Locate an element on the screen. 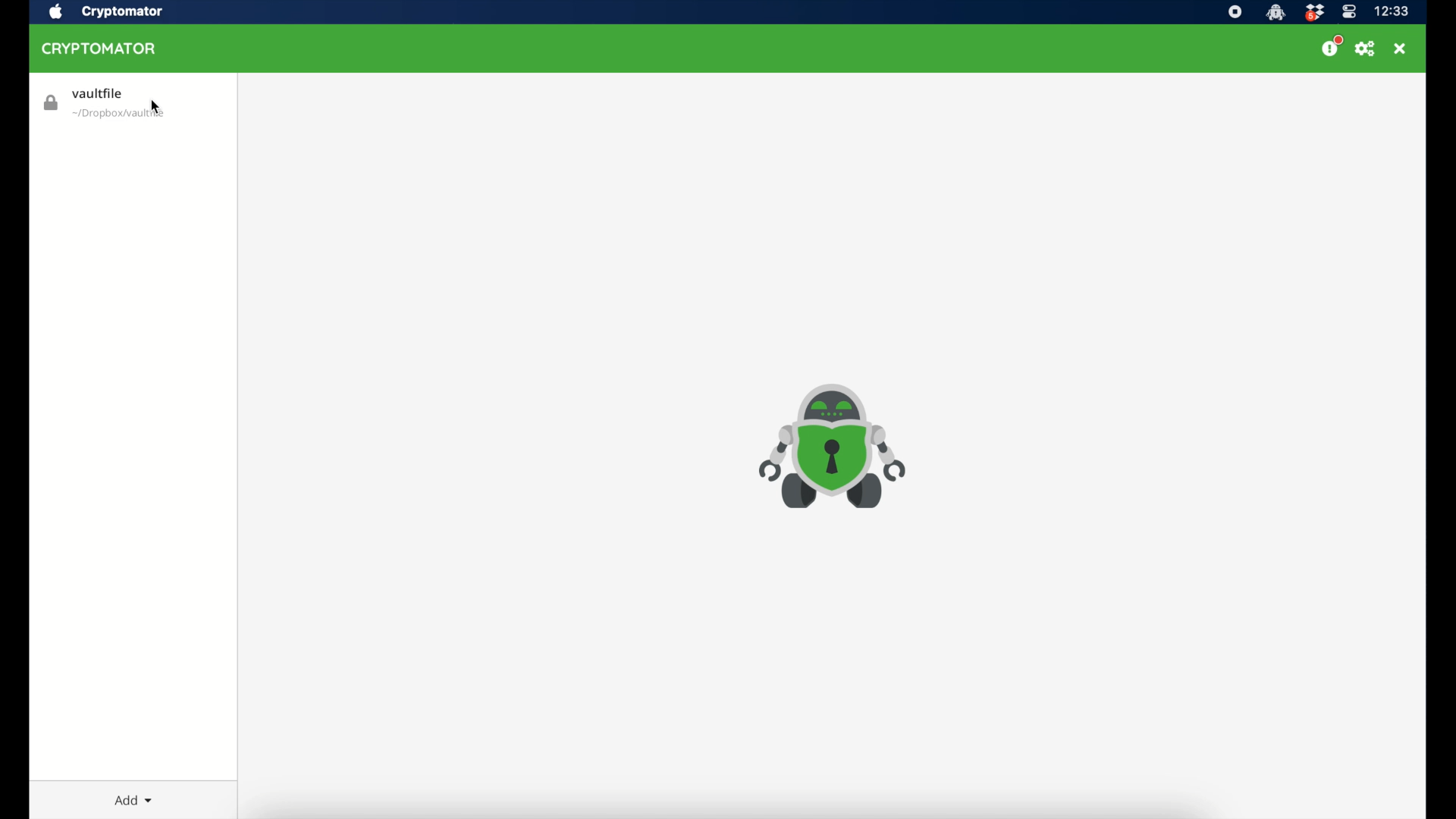 The width and height of the screenshot is (1456, 819). time is located at coordinates (1393, 11).